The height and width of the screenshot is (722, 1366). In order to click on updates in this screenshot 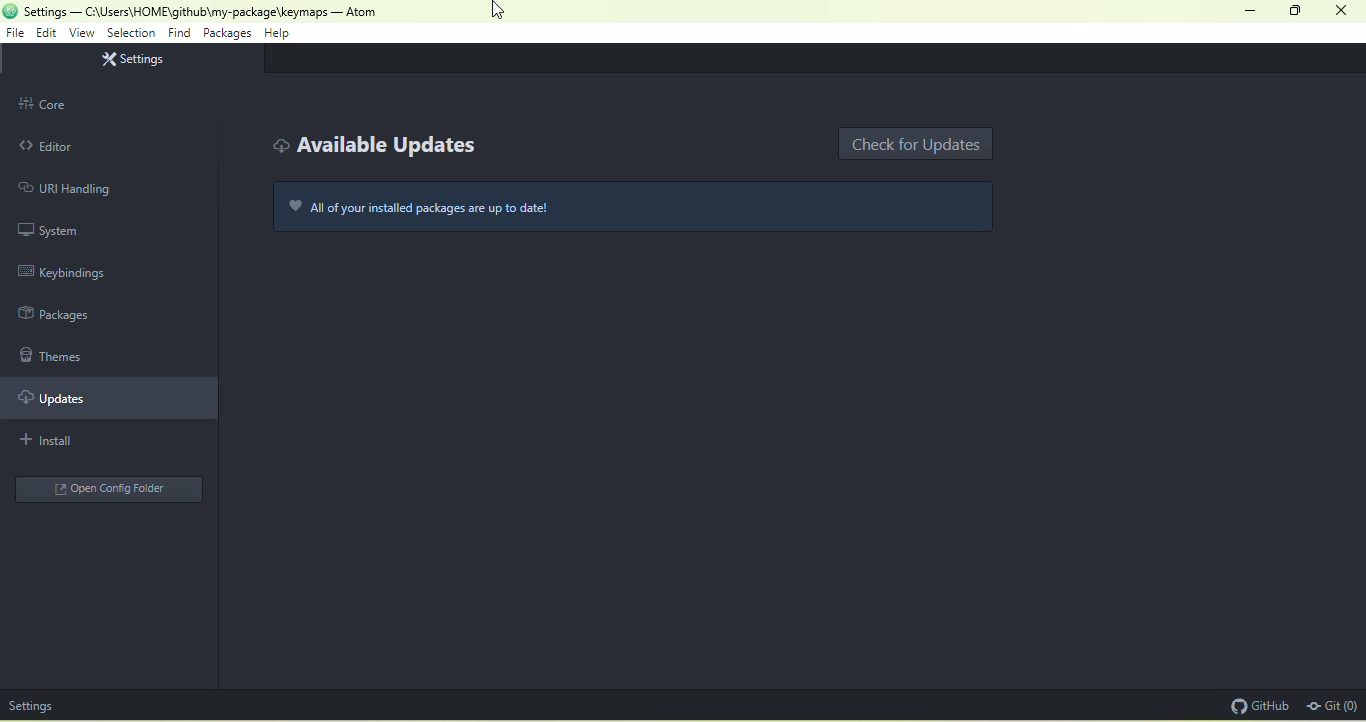, I will do `click(114, 400)`.